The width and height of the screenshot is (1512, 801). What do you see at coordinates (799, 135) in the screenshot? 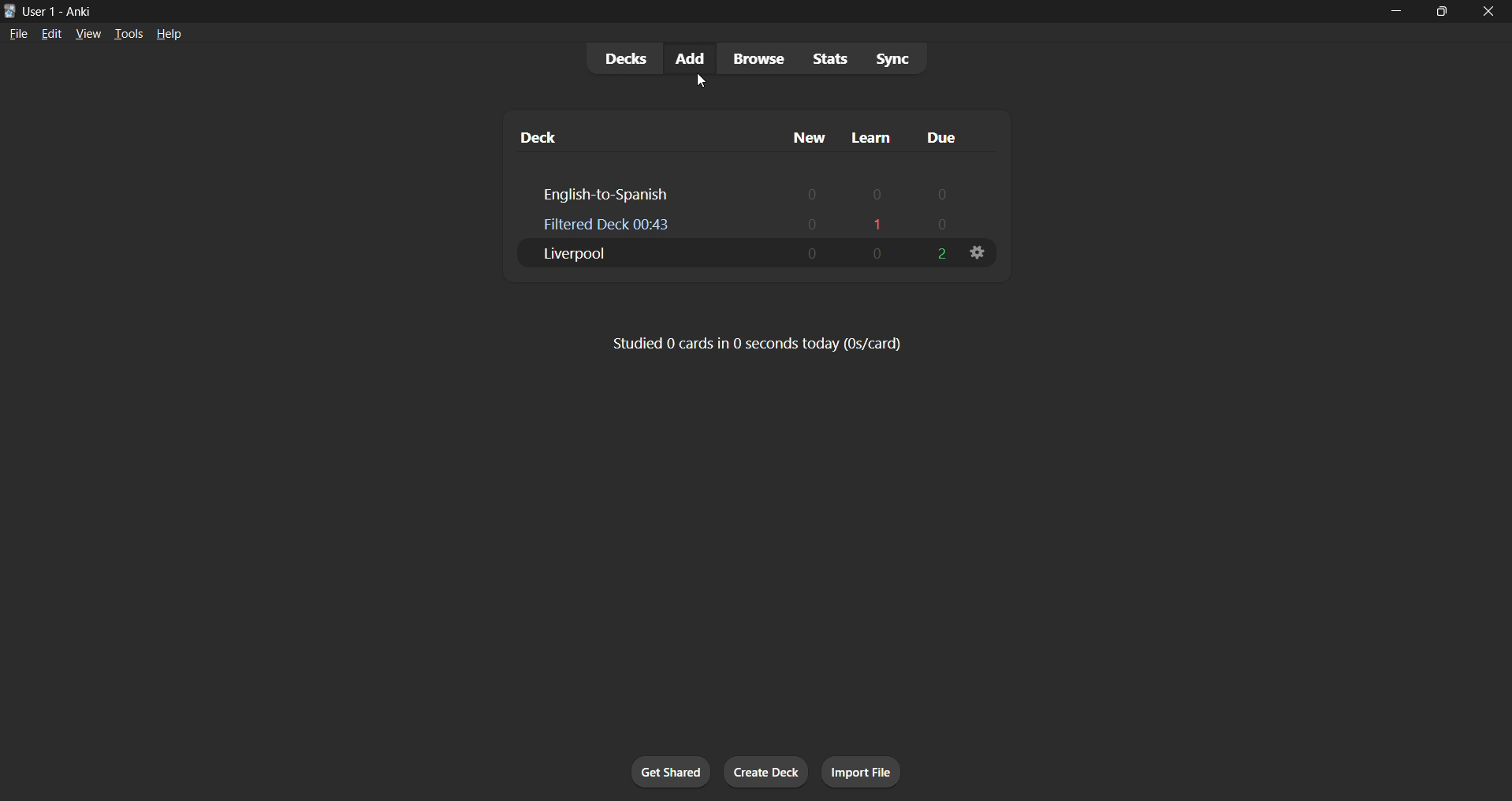
I see `new column` at bounding box center [799, 135].